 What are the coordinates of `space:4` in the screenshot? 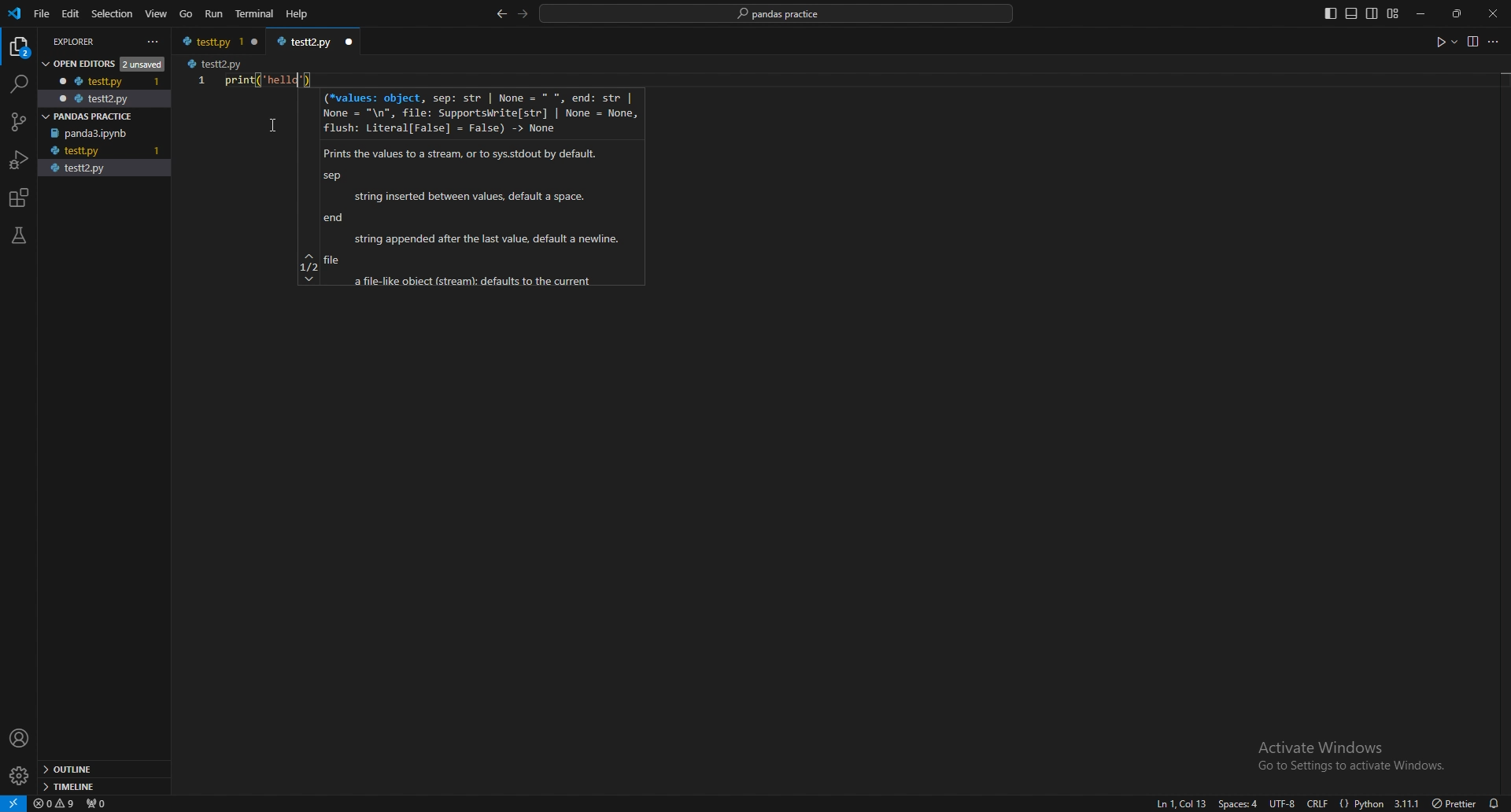 It's located at (1236, 803).